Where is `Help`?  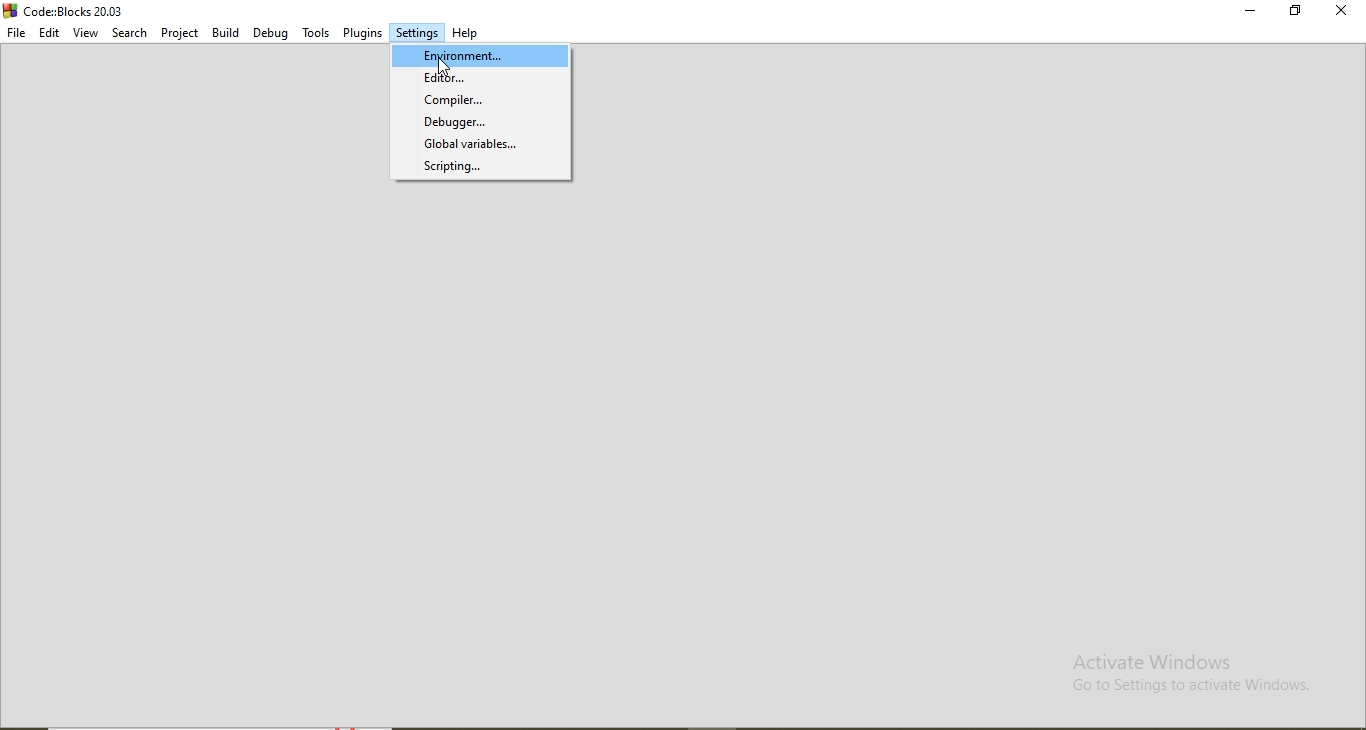 Help is located at coordinates (468, 34).